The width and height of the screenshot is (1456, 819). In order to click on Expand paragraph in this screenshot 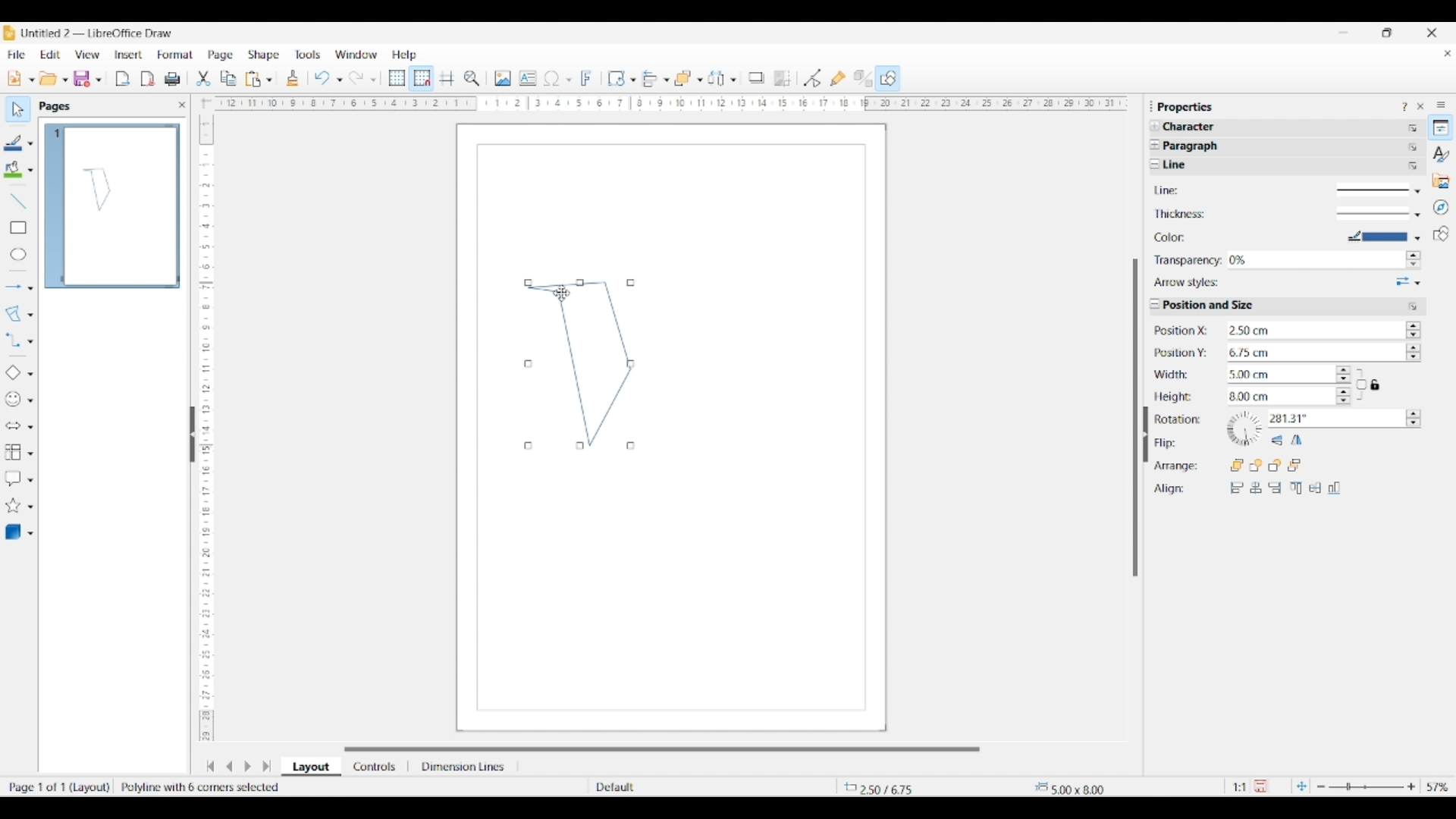, I will do `click(1154, 145)`.